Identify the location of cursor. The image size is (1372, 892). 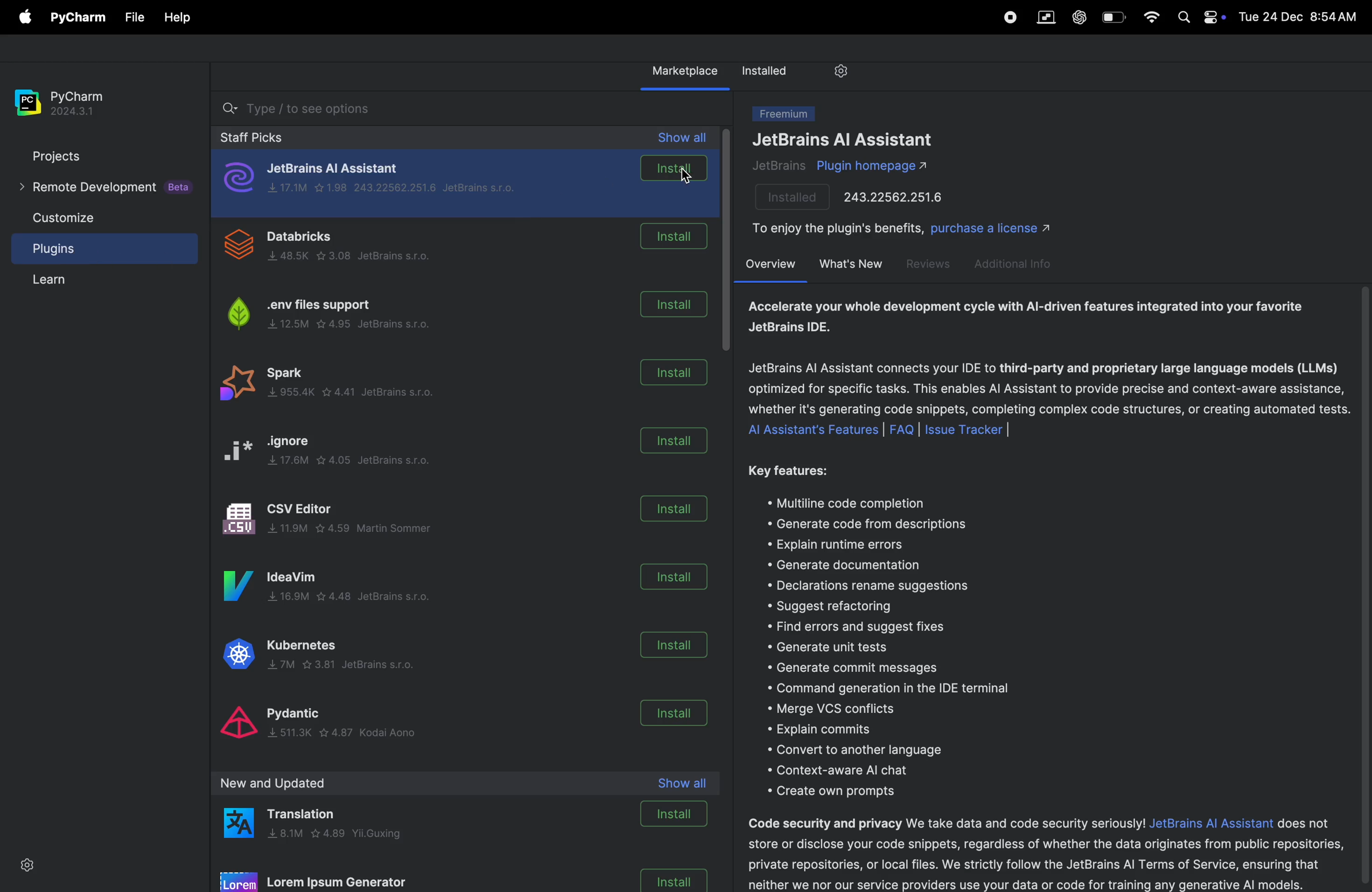
(688, 178).